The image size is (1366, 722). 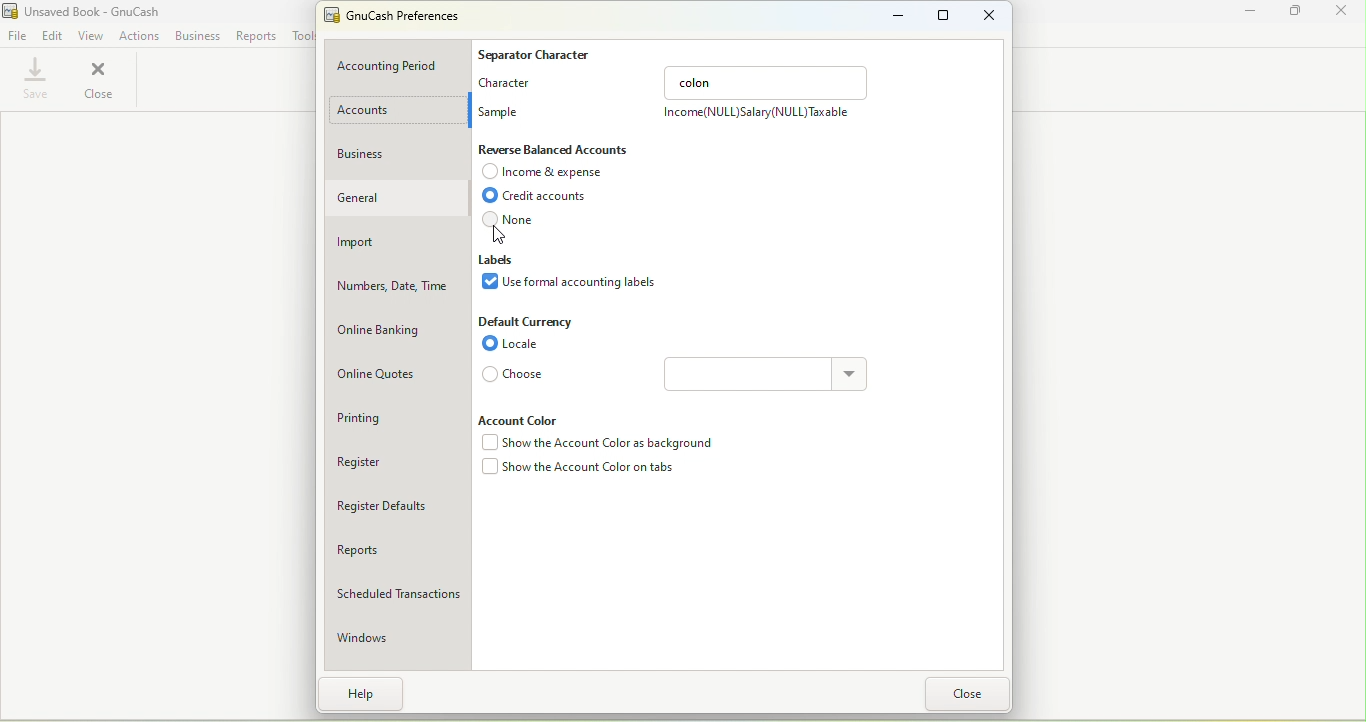 What do you see at coordinates (401, 463) in the screenshot?
I see `Register` at bounding box center [401, 463].